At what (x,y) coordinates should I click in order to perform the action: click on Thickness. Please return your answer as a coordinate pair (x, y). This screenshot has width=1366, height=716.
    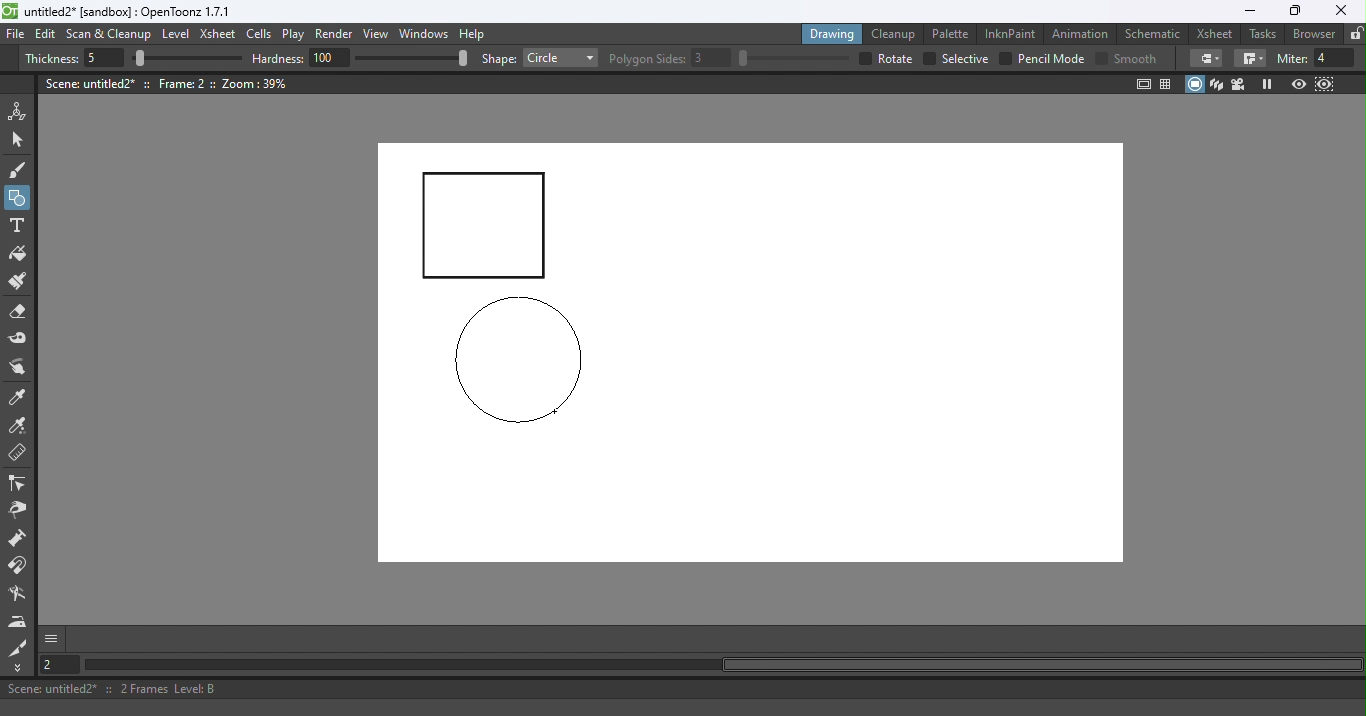
    Looking at the image, I should click on (51, 59).